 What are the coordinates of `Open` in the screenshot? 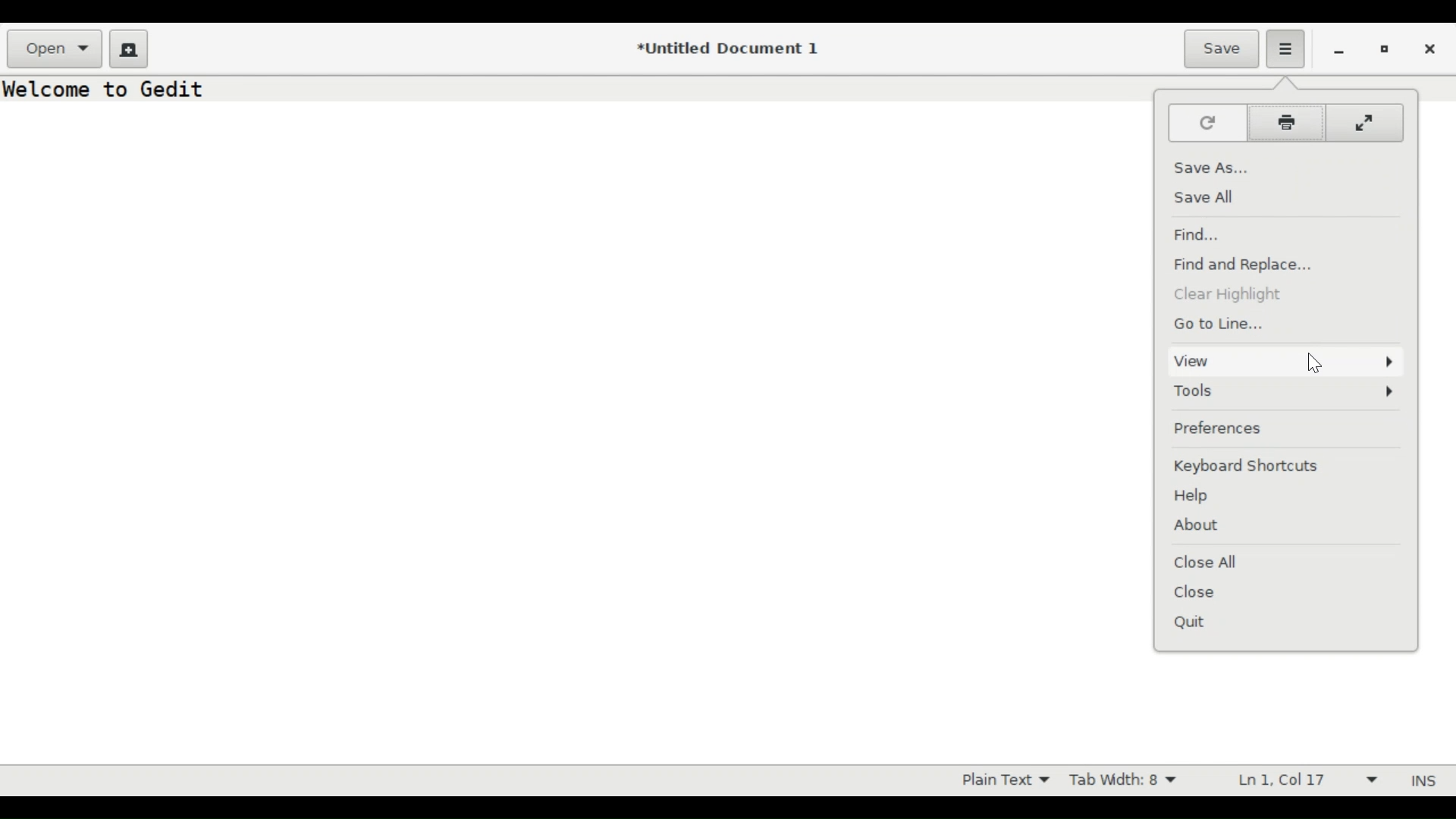 It's located at (56, 49).